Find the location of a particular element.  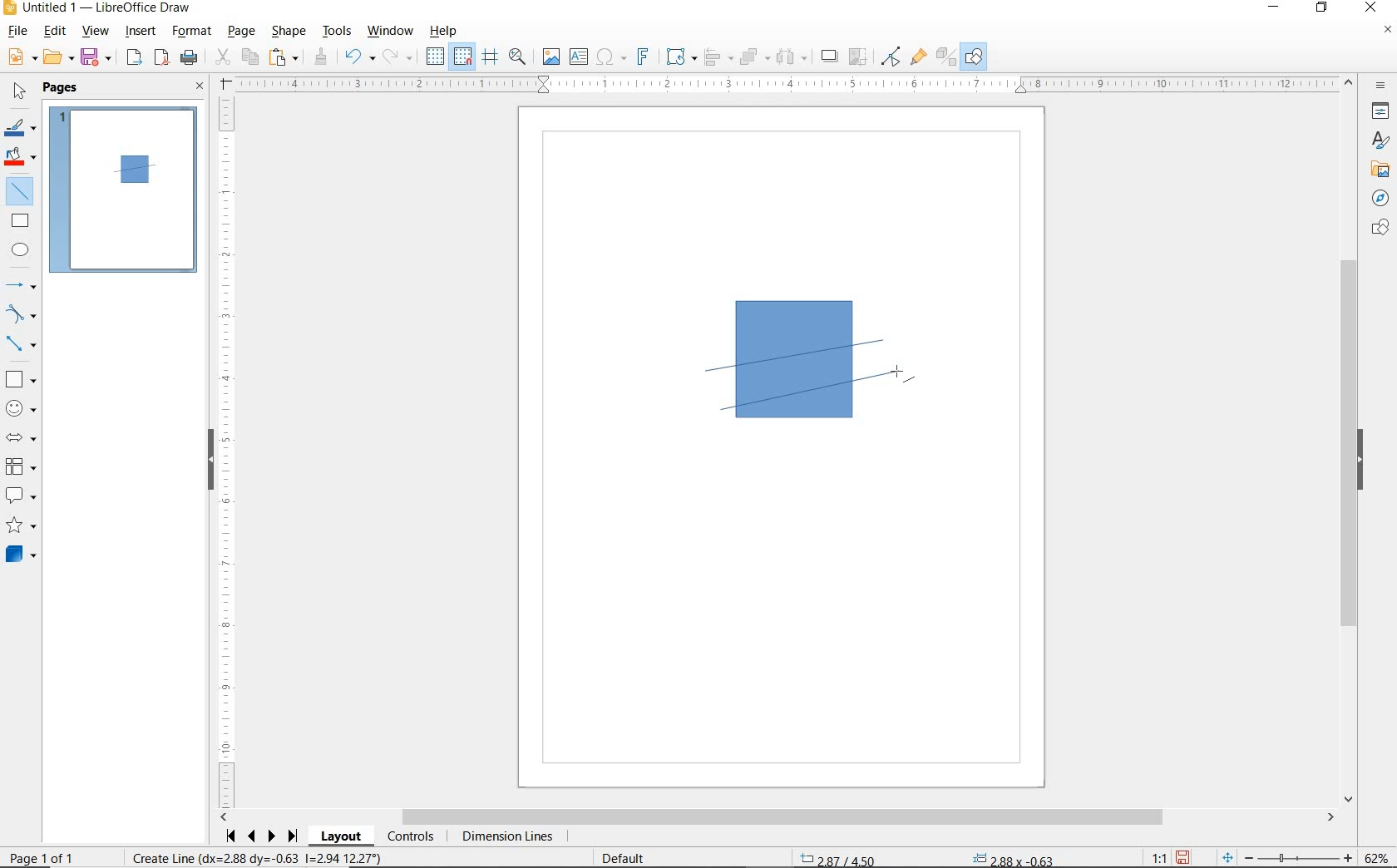

RECTANGLE is located at coordinates (21, 220).